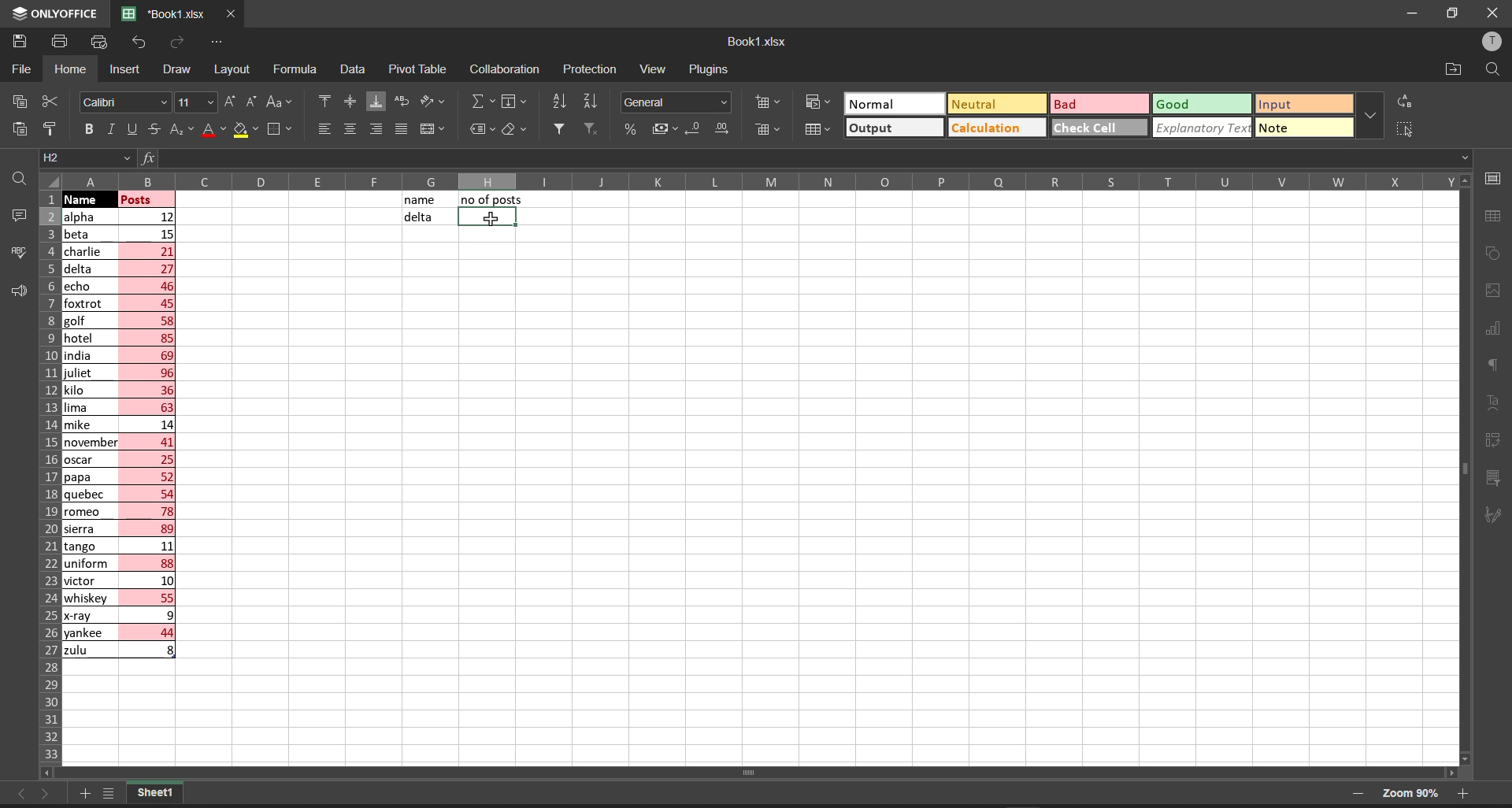 This screenshot has width=1512, height=808. Describe the element at coordinates (55, 13) in the screenshot. I see `onlyoffice` at that location.